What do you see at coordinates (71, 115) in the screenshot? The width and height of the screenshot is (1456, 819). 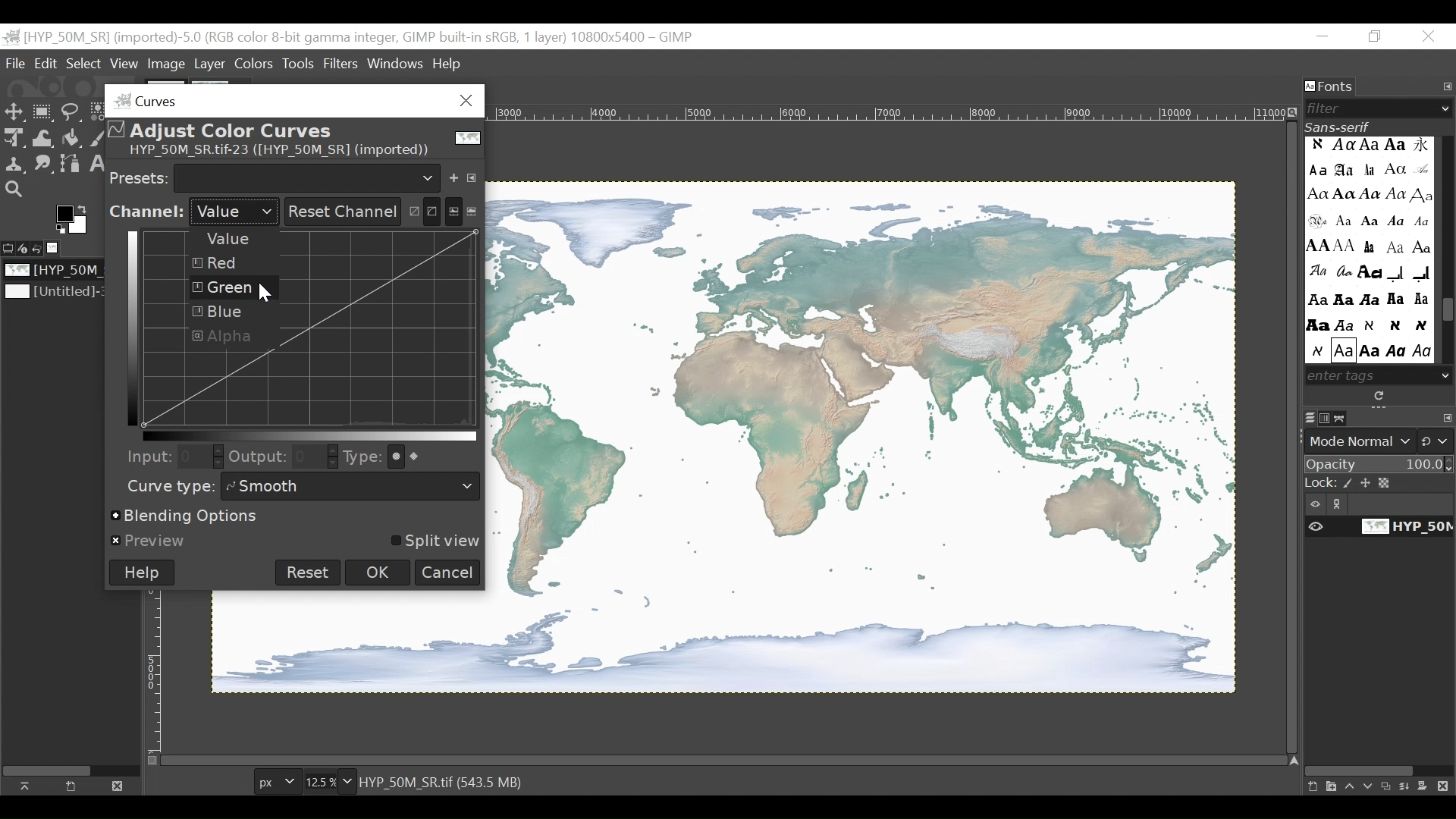 I see `Free To` at bounding box center [71, 115].